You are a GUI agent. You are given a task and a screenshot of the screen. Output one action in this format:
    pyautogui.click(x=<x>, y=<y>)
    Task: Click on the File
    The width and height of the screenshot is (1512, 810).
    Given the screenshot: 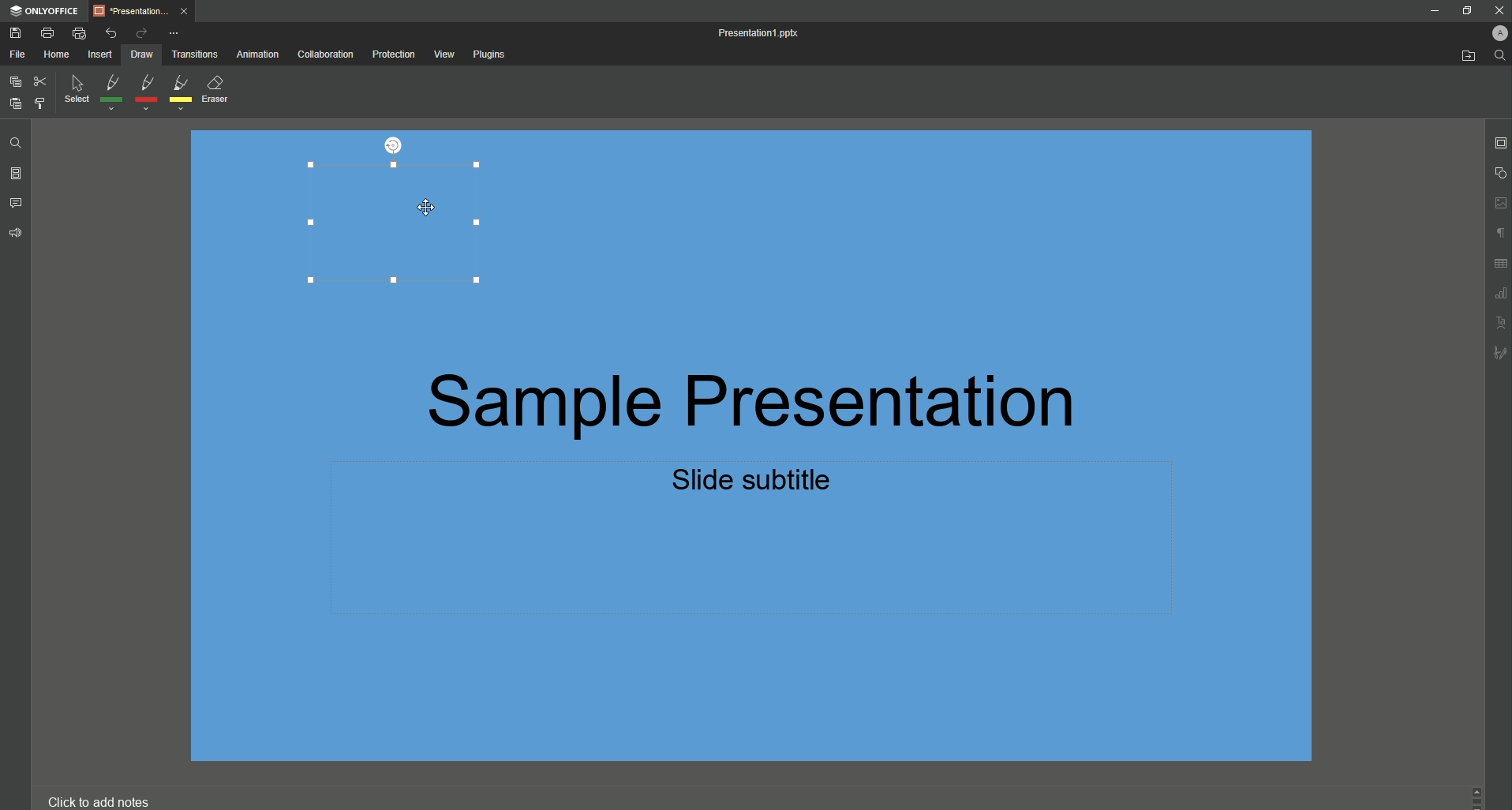 What is the action you would take?
    pyautogui.click(x=17, y=54)
    